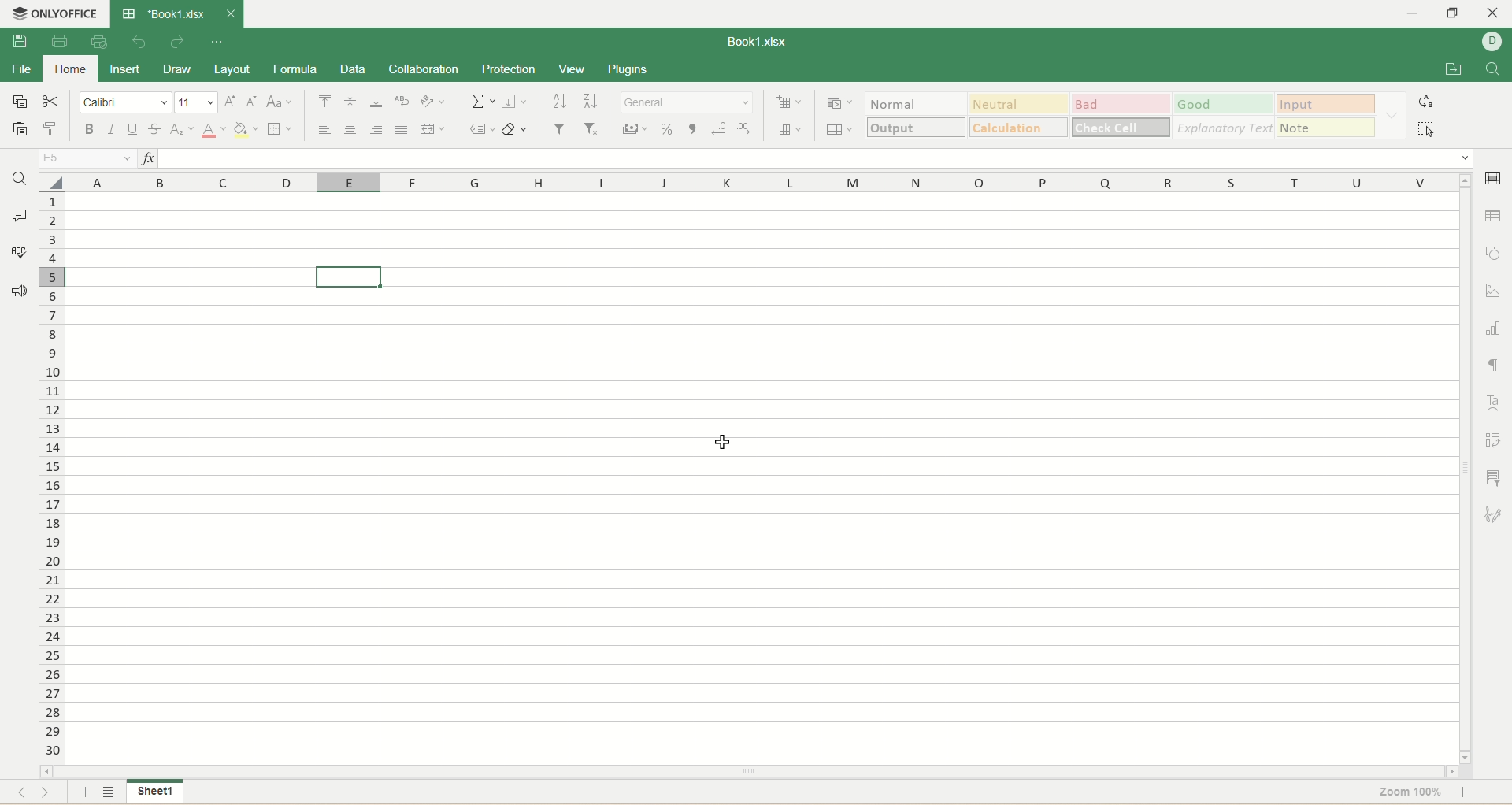 The image size is (1512, 805). Describe the element at coordinates (1325, 103) in the screenshot. I see `input` at that location.